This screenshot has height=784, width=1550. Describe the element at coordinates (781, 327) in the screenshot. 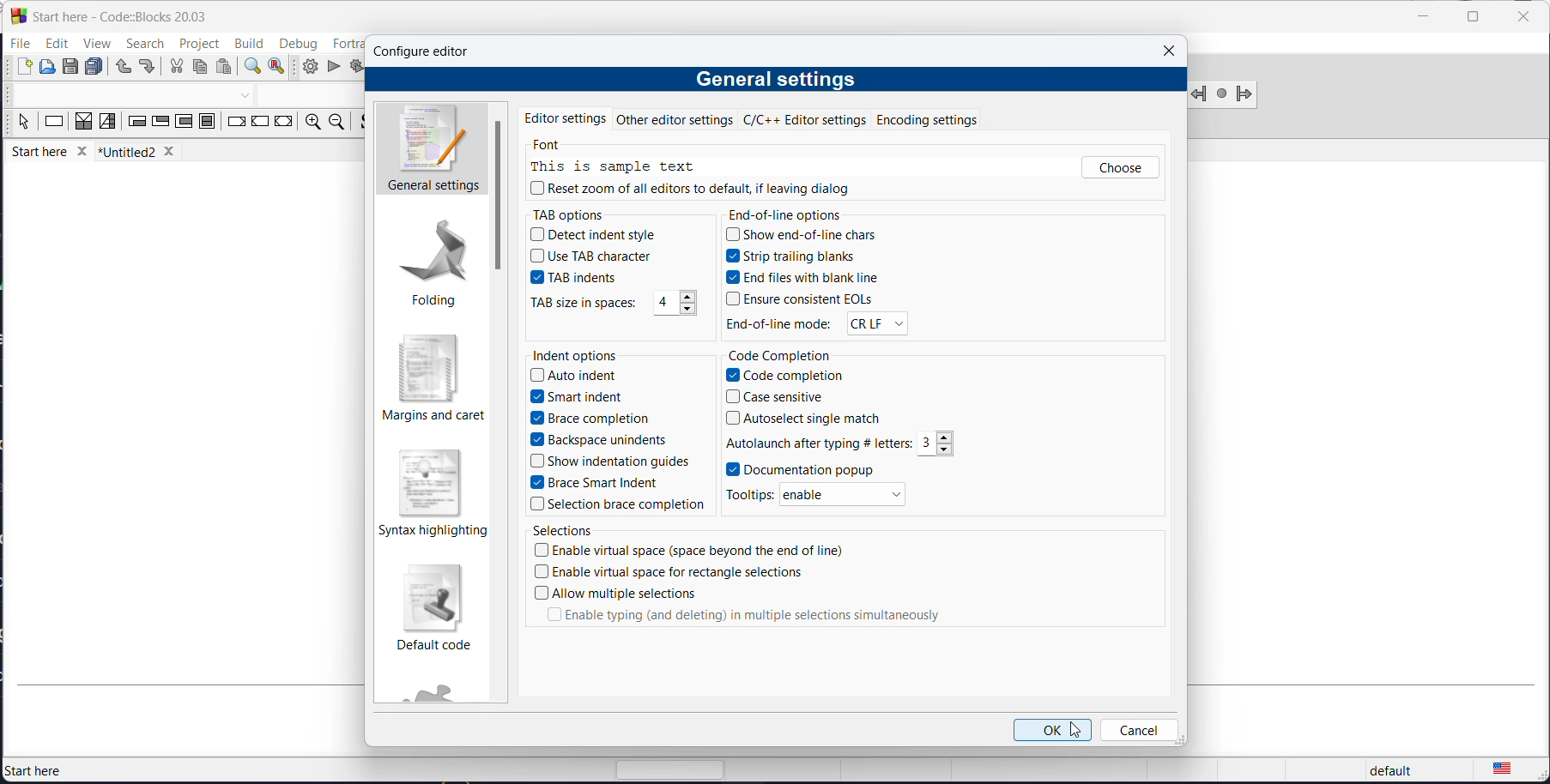

I see `end-of-line mode` at that location.